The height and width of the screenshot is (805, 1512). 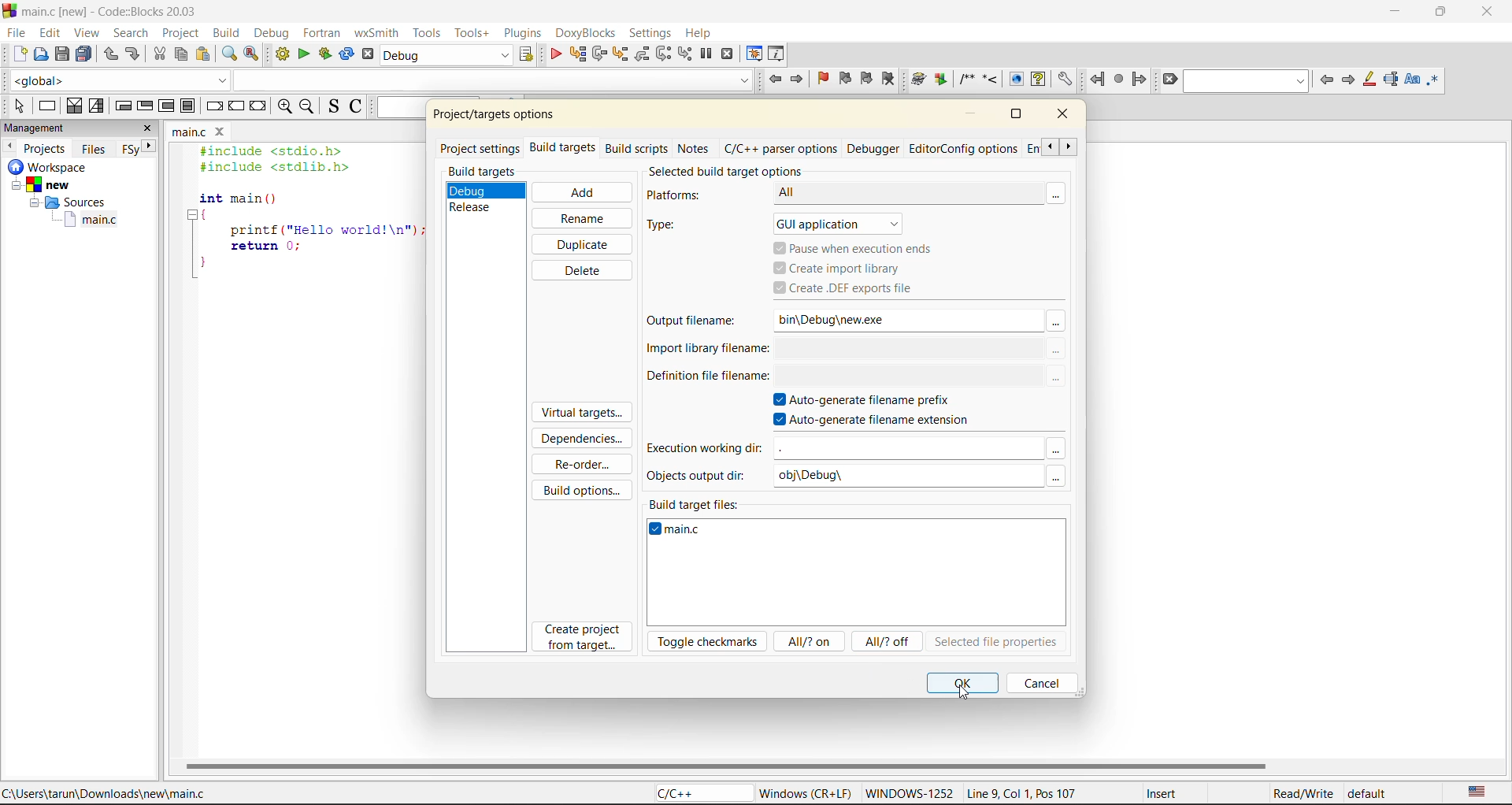 What do you see at coordinates (47, 106) in the screenshot?
I see `instruction` at bounding box center [47, 106].